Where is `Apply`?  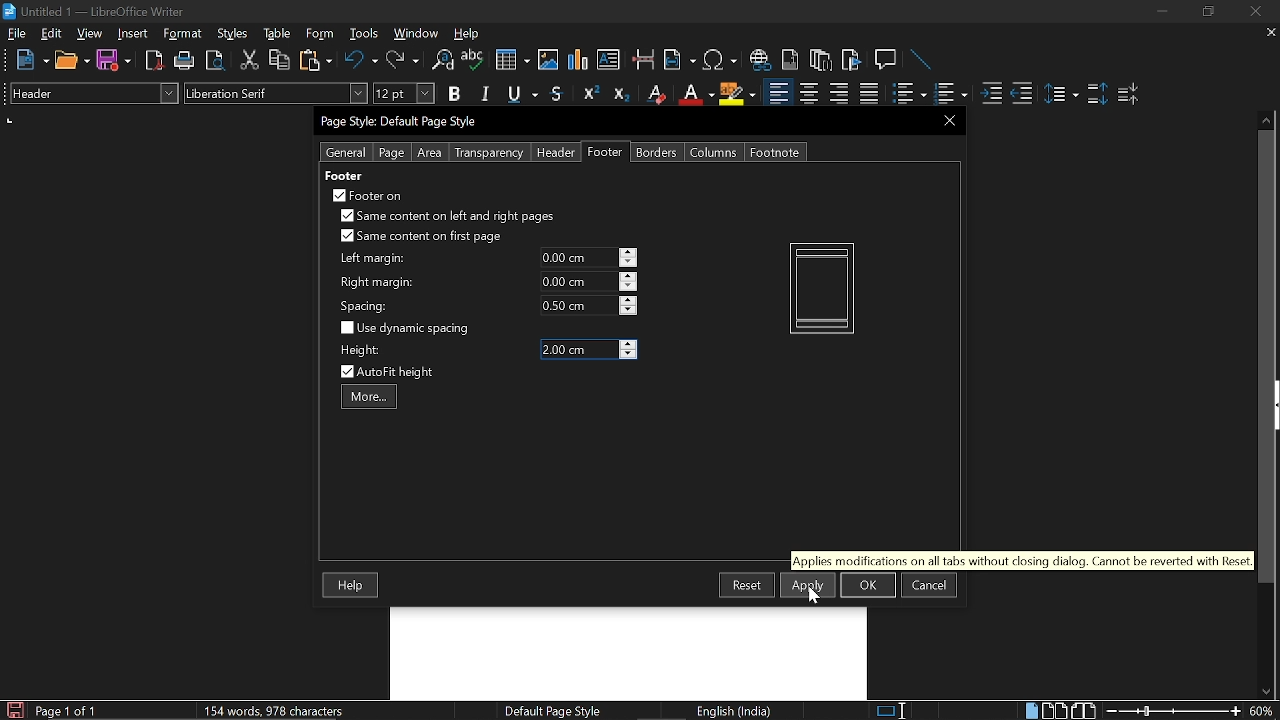
Apply is located at coordinates (808, 585).